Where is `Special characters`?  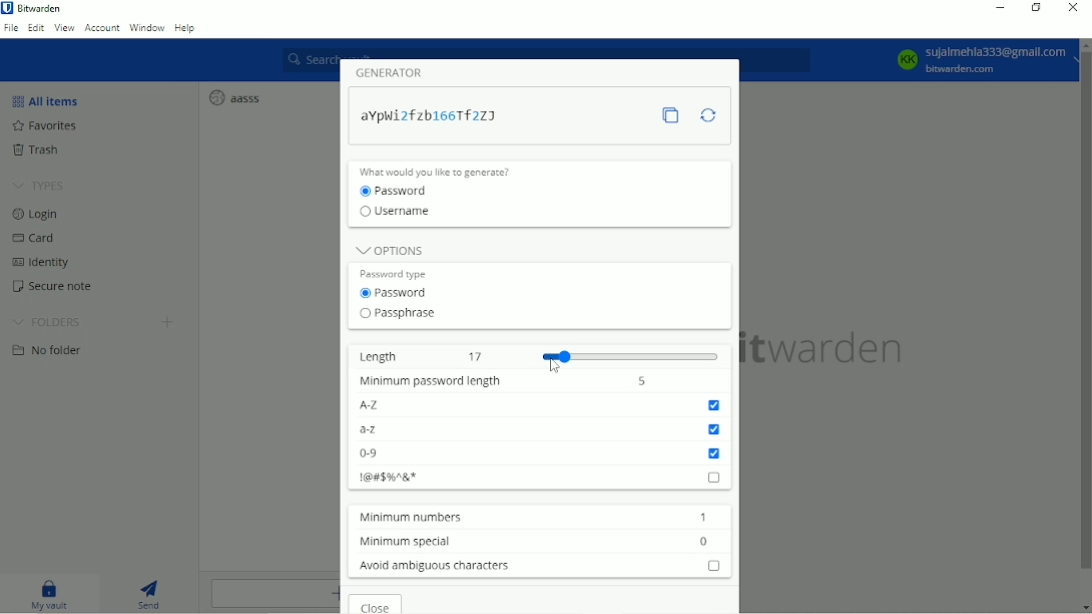
Special characters is located at coordinates (541, 476).